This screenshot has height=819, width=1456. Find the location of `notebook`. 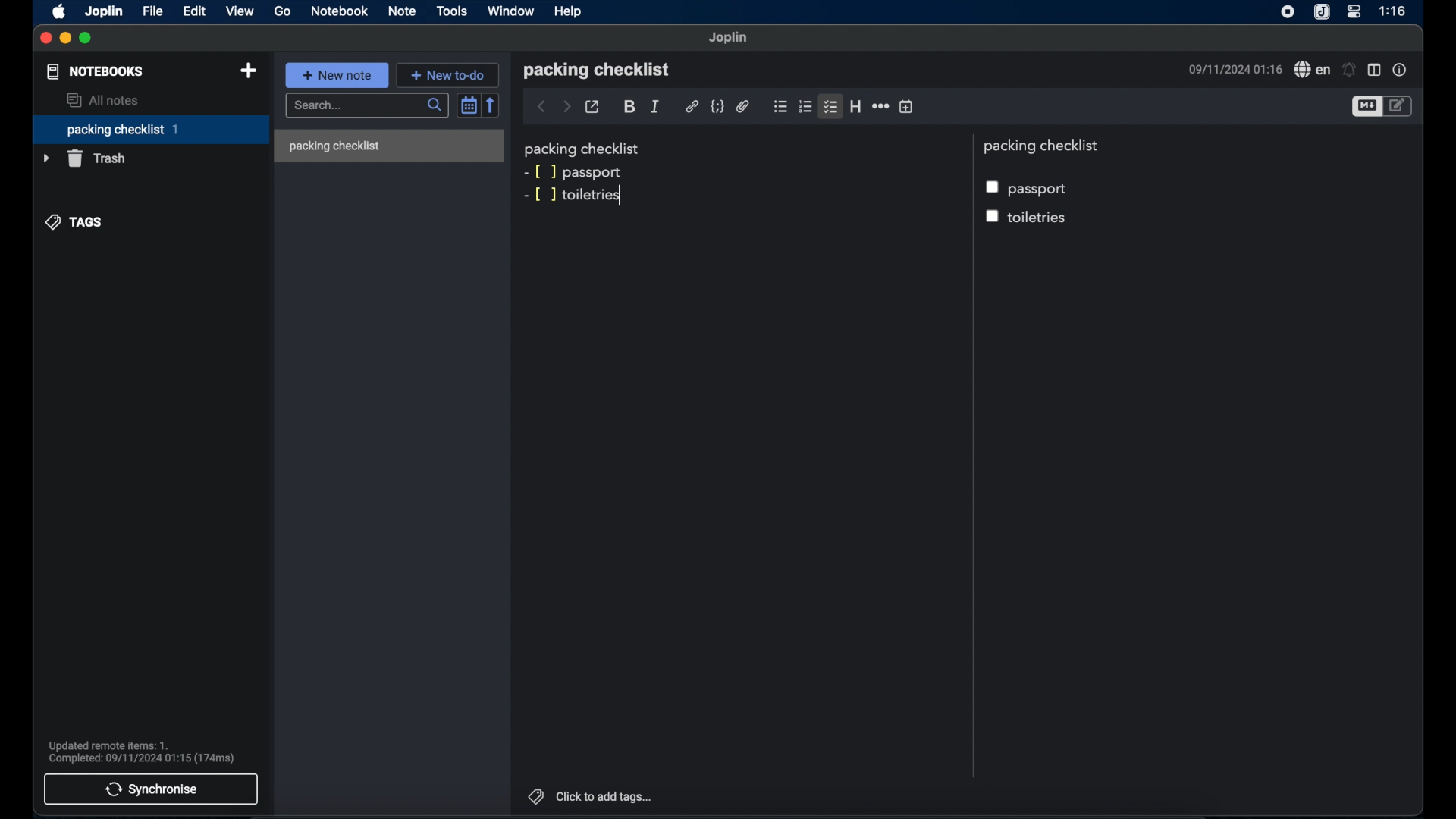

notebook is located at coordinates (339, 11).